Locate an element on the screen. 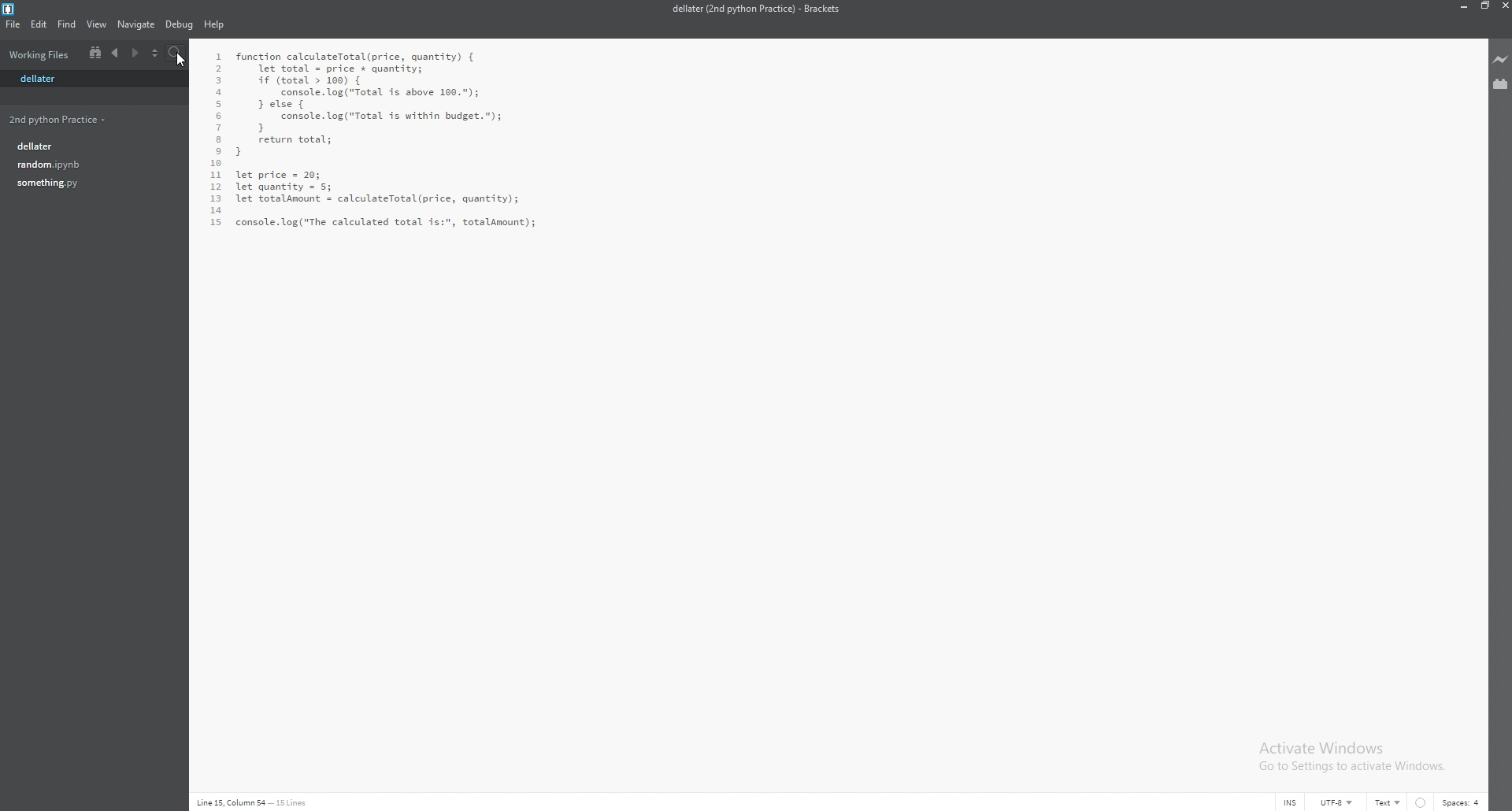 This screenshot has height=811, width=1512. 8 is located at coordinates (219, 139).